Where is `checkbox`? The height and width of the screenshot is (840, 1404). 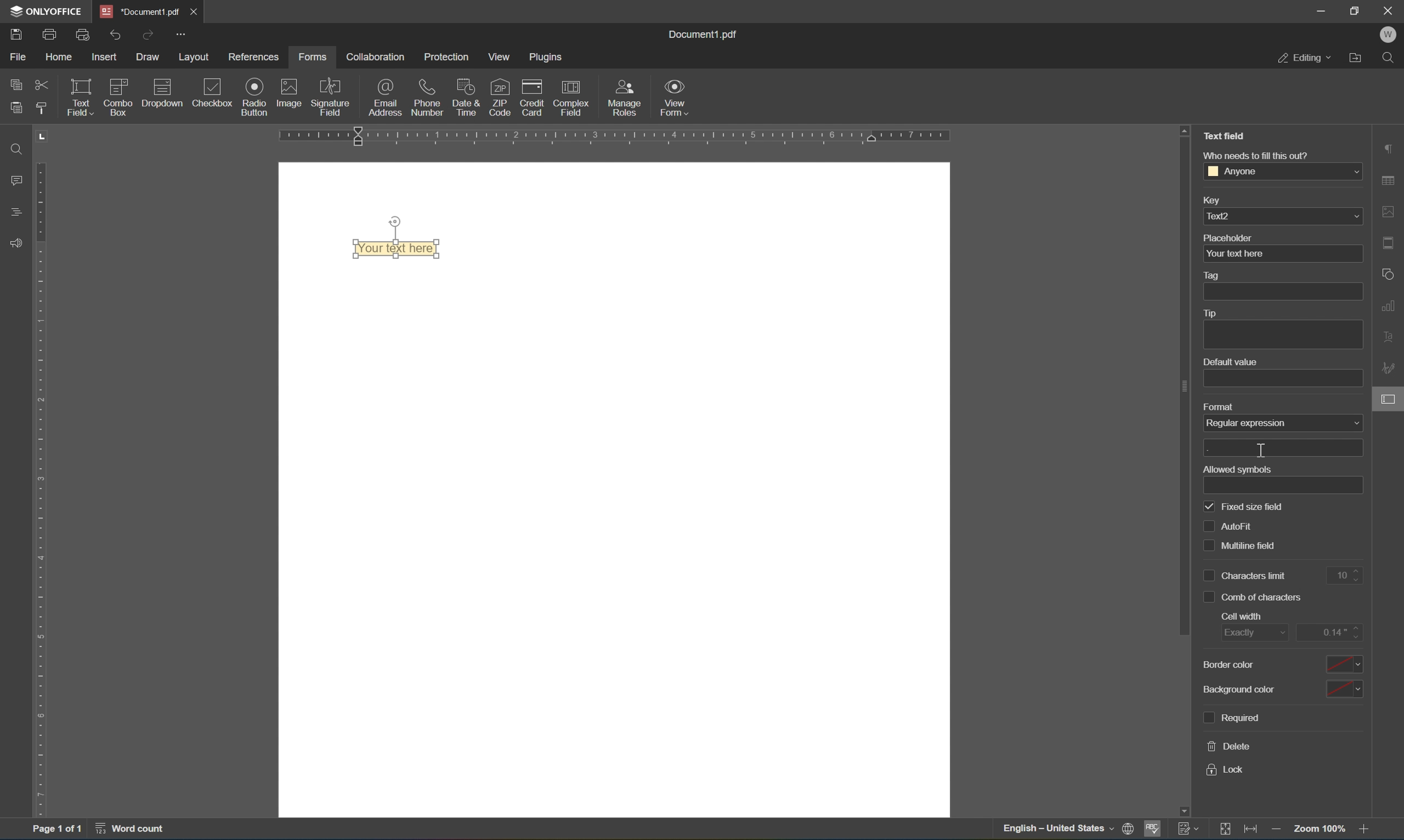 checkbox is located at coordinates (214, 92).